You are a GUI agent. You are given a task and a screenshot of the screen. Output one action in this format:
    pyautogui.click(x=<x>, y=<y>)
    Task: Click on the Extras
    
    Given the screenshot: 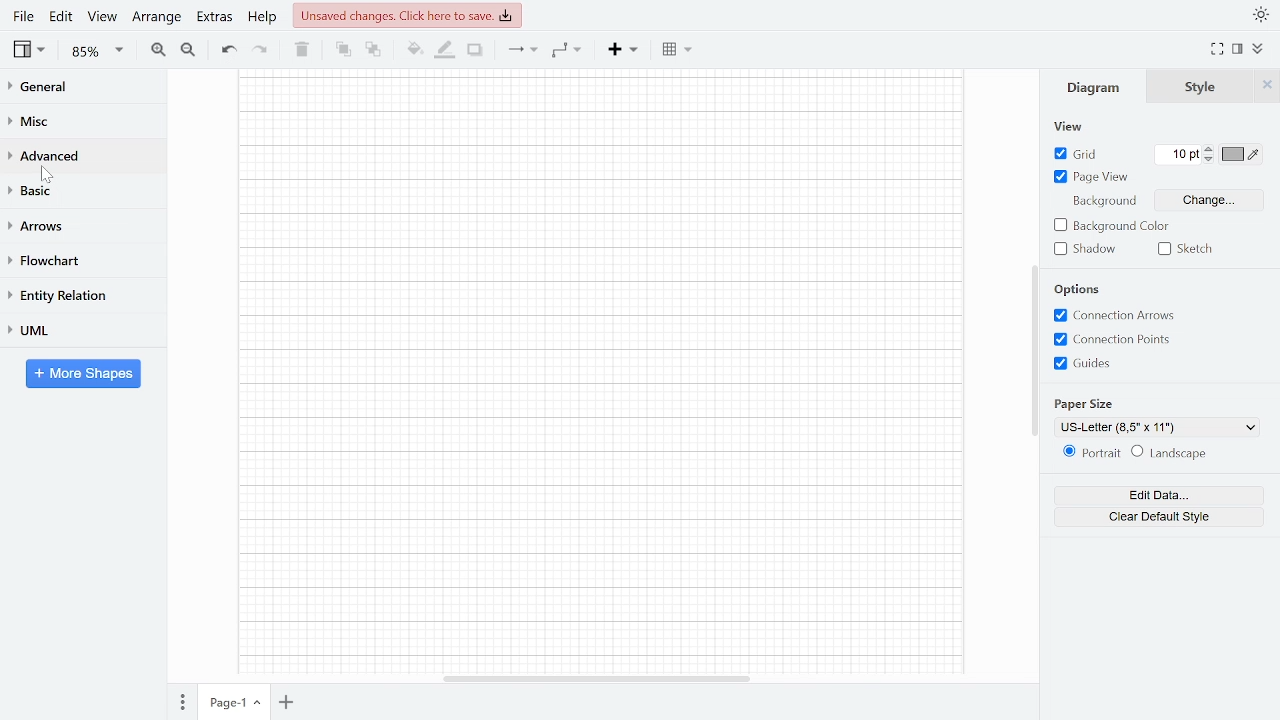 What is the action you would take?
    pyautogui.click(x=214, y=17)
    